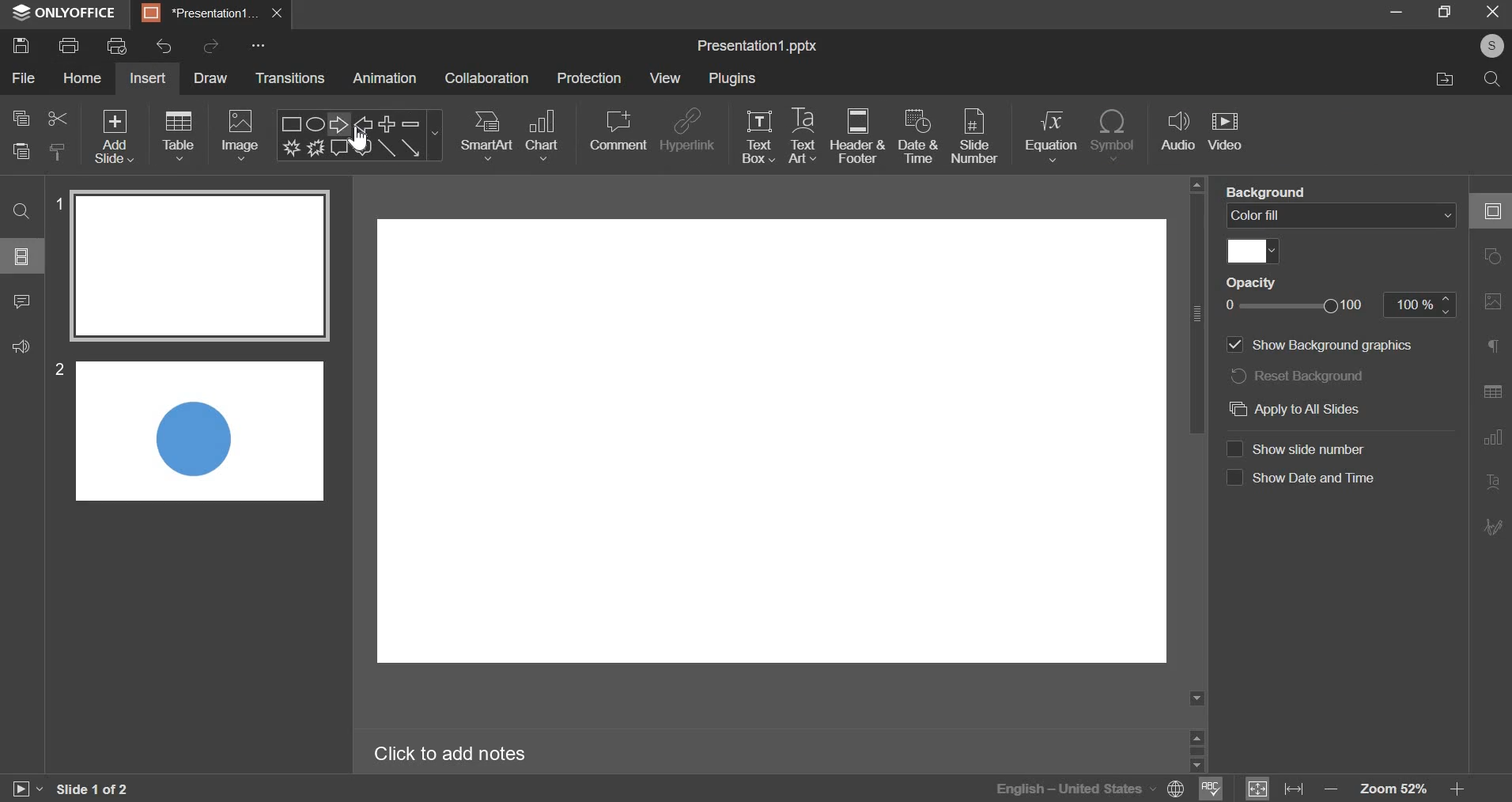  Describe the element at coordinates (59, 118) in the screenshot. I see `cut` at that location.